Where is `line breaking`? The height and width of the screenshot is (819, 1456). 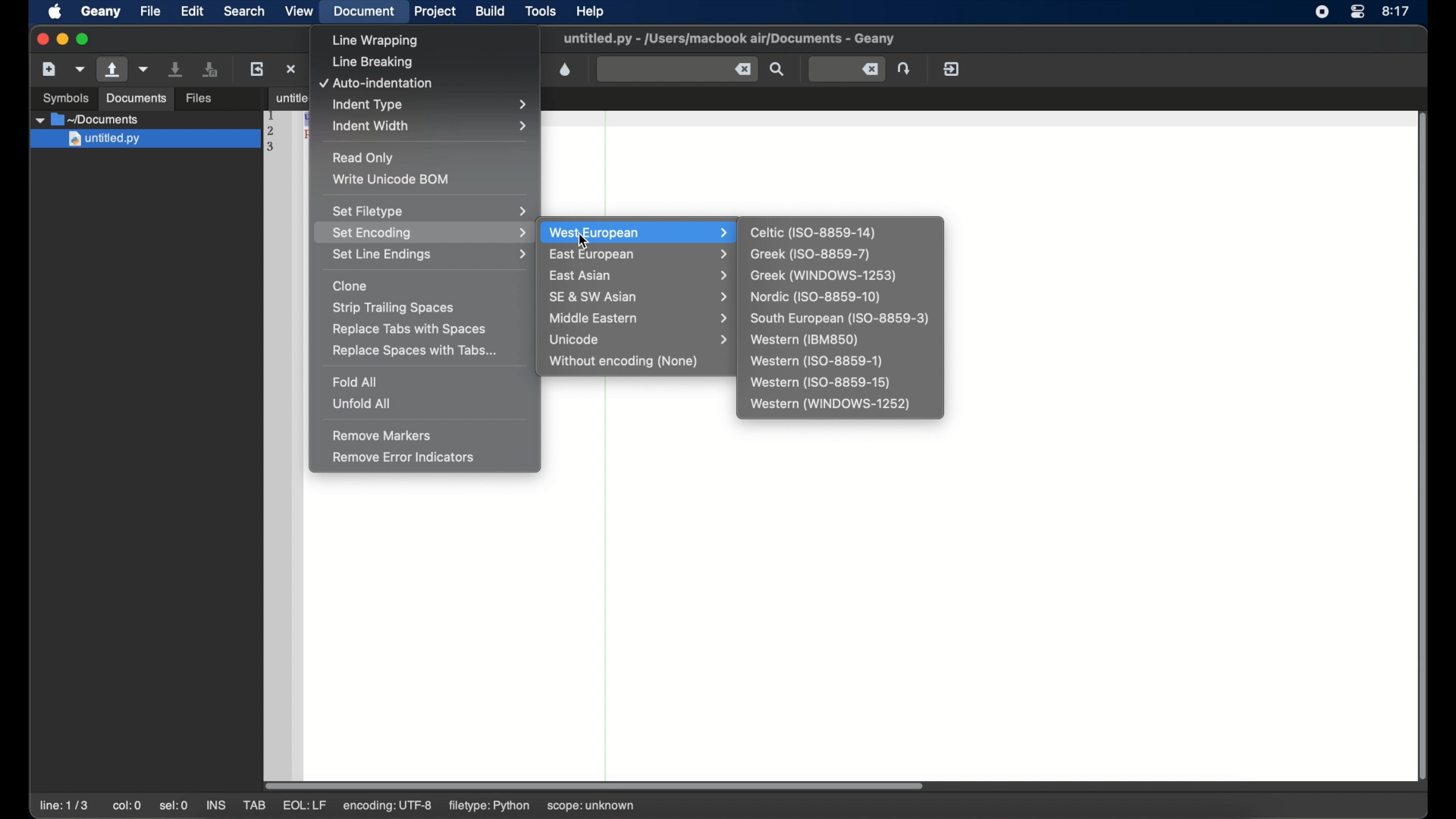
line breaking is located at coordinates (372, 63).